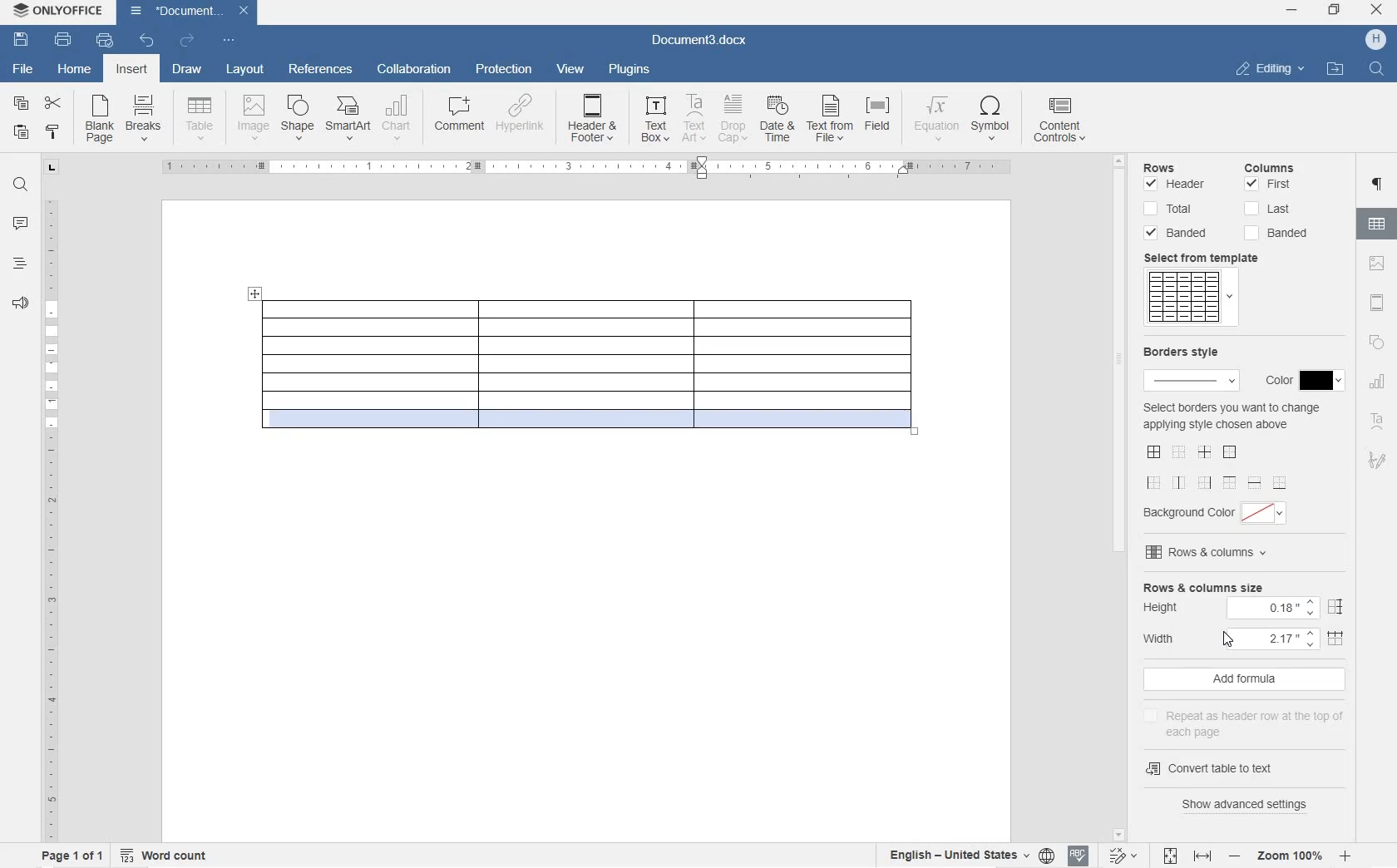 The height and width of the screenshot is (868, 1397). Describe the element at coordinates (1288, 856) in the screenshot. I see `ZOOM OUT OR IN` at that location.